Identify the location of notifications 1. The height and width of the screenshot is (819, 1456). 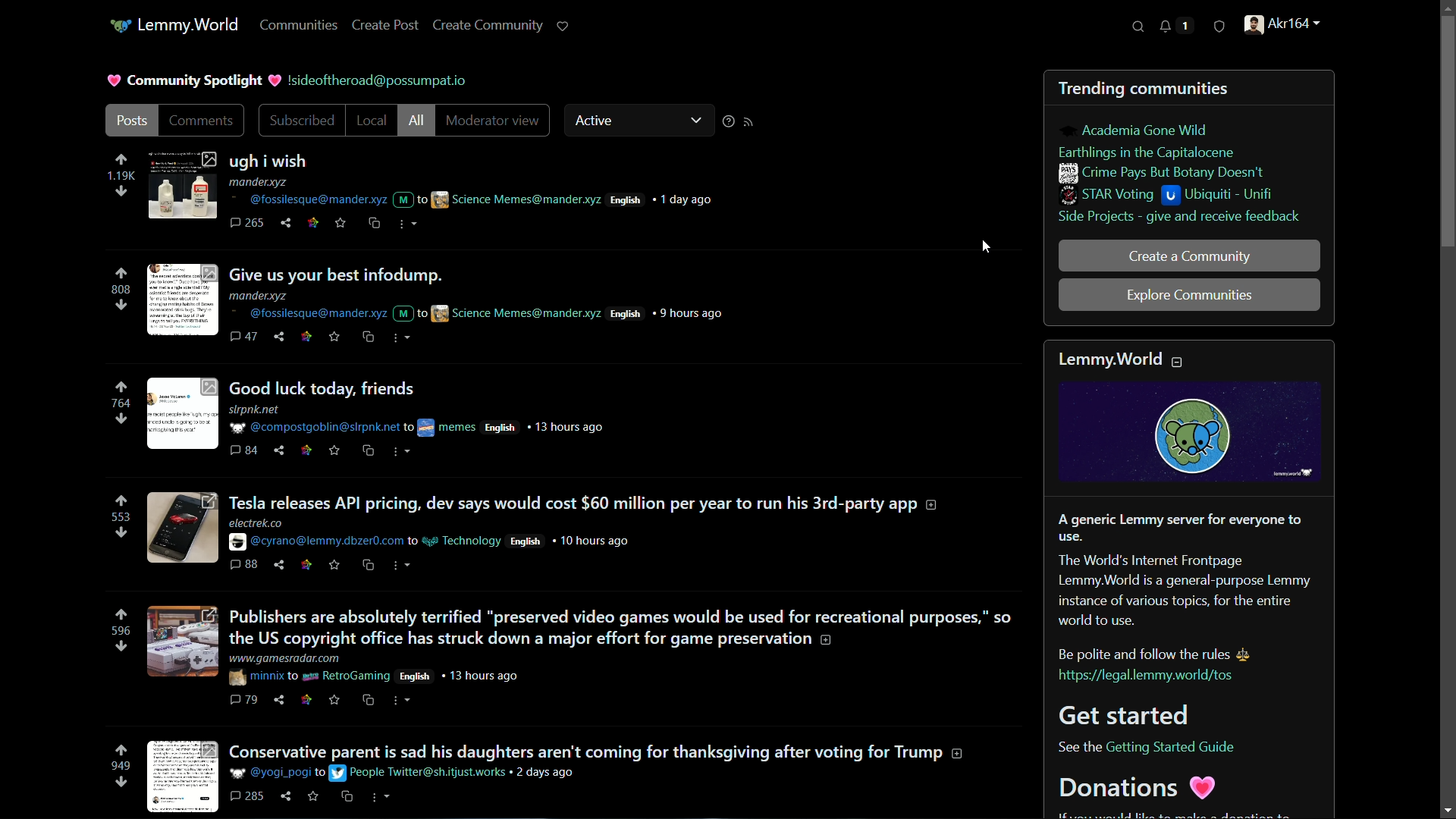
(1172, 27).